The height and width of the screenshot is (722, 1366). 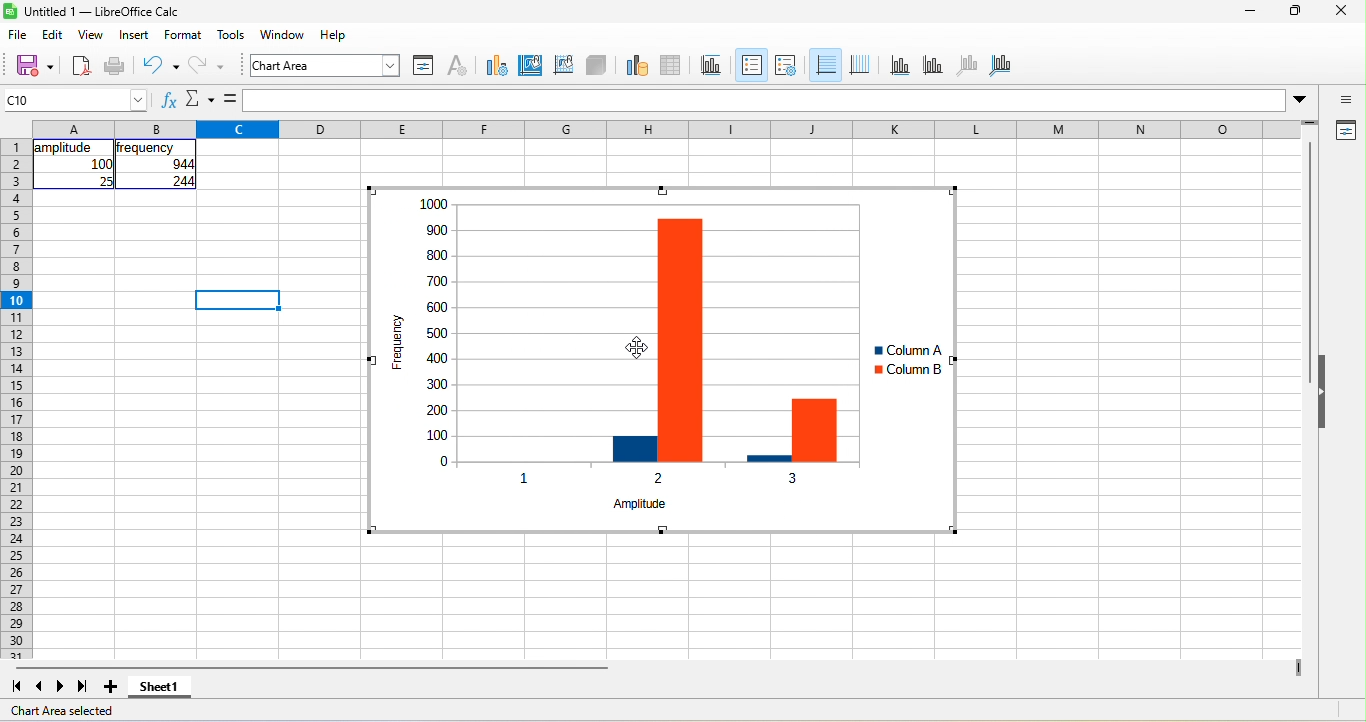 What do you see at coordinates (1296, 10) in the screenshot?
I see `maximize` at bounding box center [1296, 10].